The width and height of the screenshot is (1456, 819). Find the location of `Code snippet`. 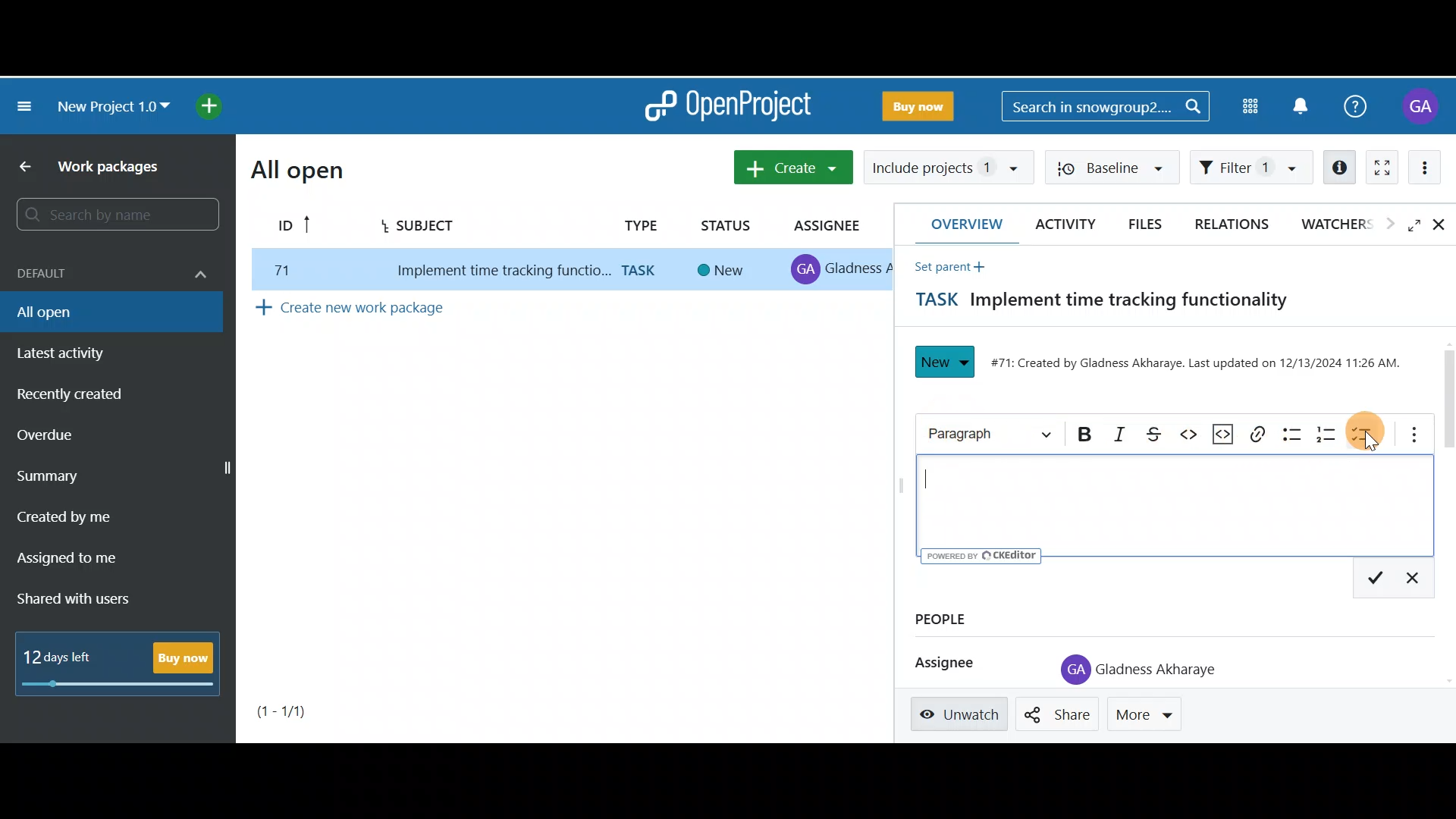

Code snippet is located at coordinates (1227, 432).